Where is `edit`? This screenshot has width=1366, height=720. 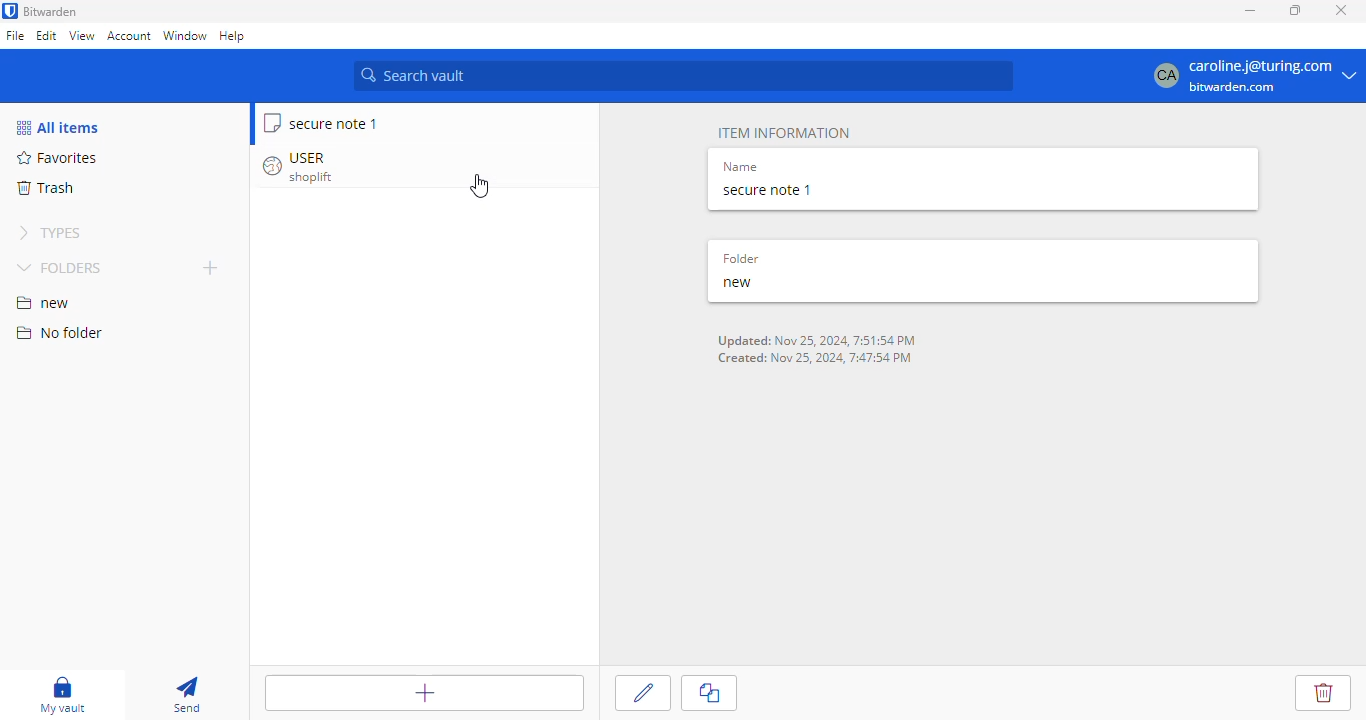 edit is located at coordinates (643, 694).